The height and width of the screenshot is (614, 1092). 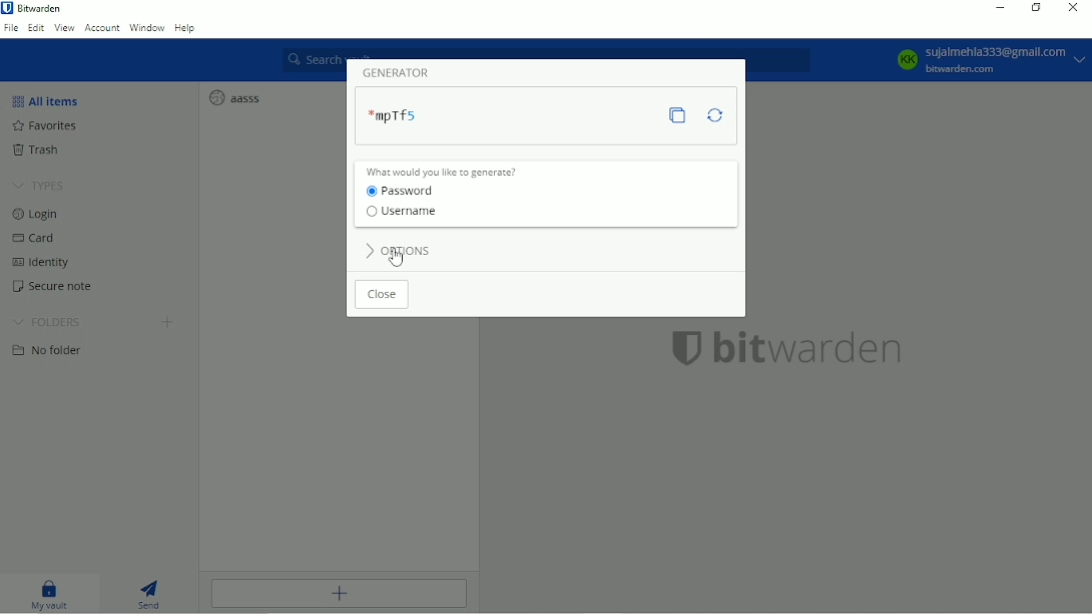 I want to click on bitwarden, so click(x=812, y=349).